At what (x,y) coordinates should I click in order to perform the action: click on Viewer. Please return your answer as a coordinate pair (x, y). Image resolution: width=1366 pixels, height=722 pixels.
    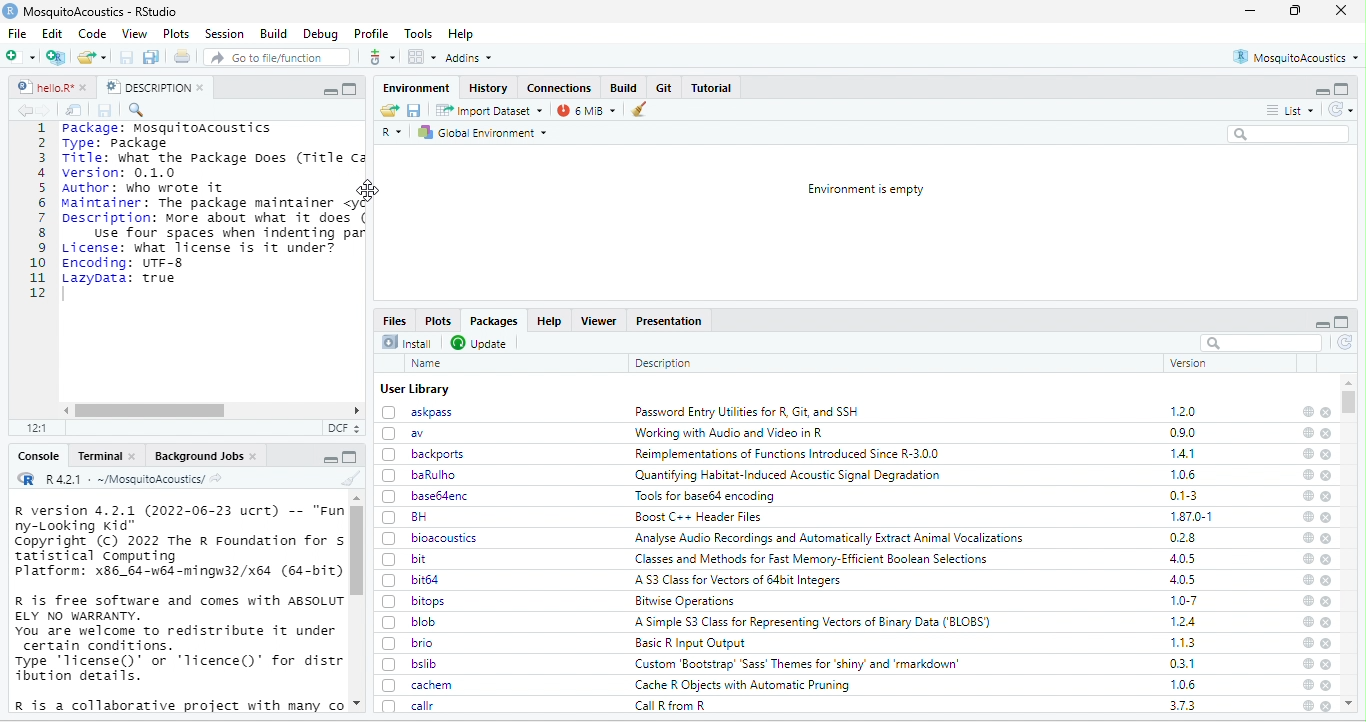
    Looking at the image, I should click on (600, 321).